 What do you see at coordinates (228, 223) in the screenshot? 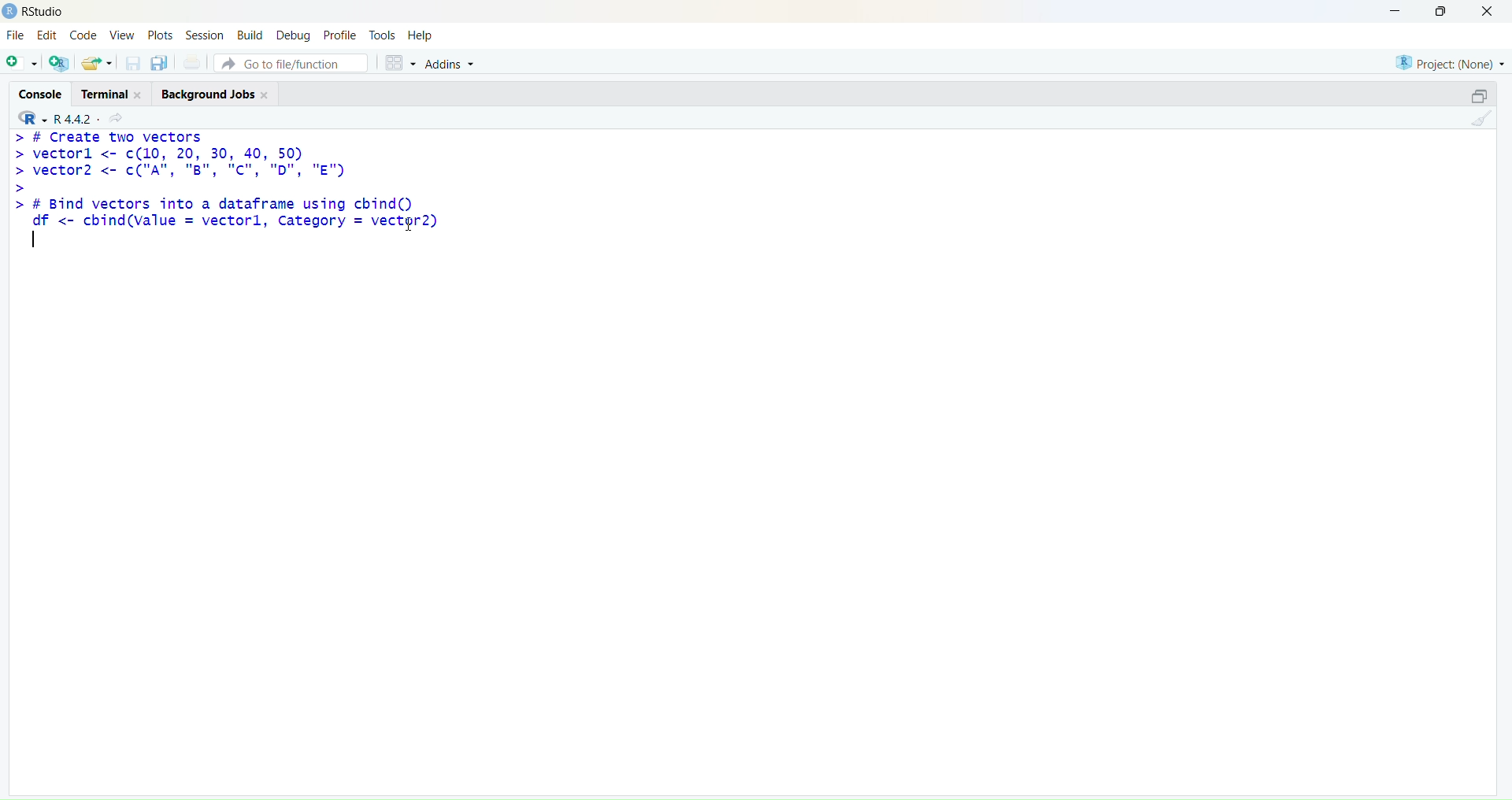
I see `# Bind vectors into a dataframe using cbind()df <- cbind(value = vectorl, Category = vector2)` at bounding box center [228, 223].